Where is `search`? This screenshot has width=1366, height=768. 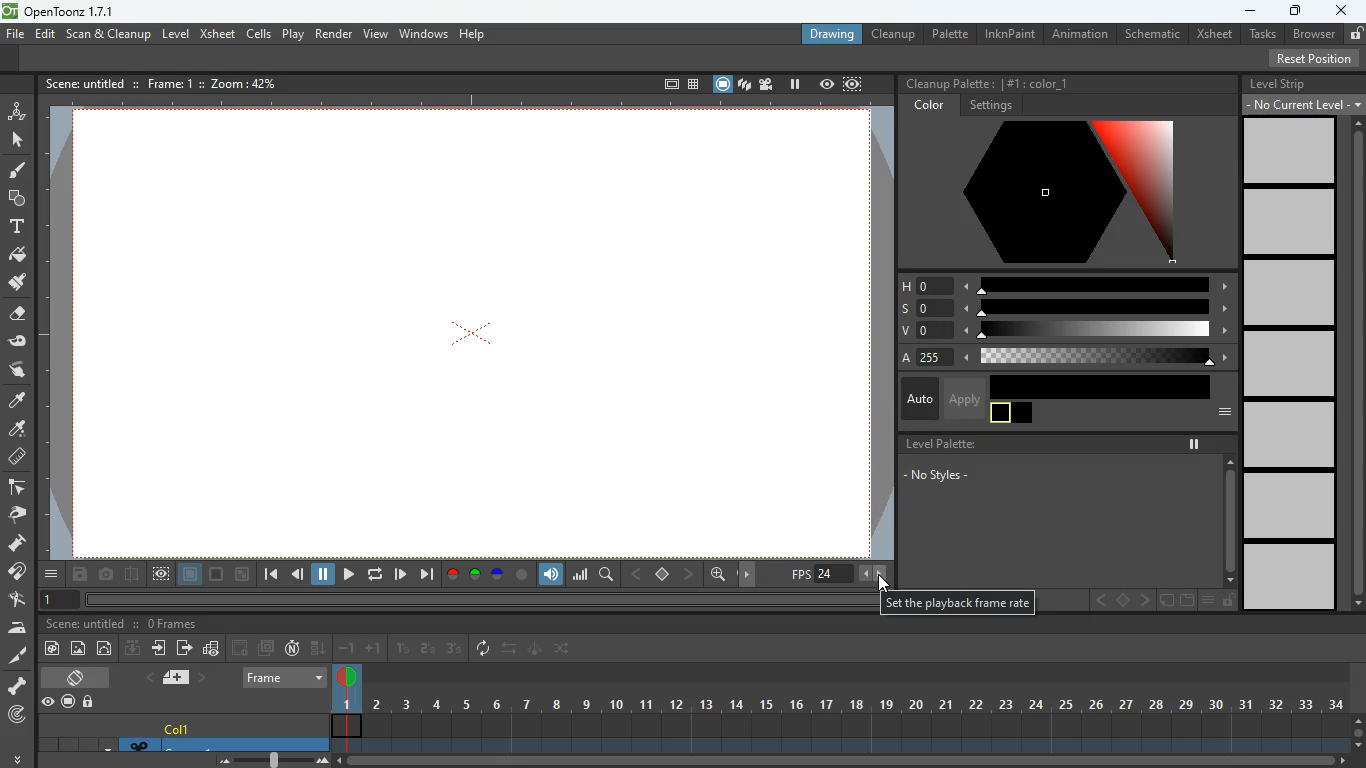
search is located at coordinates (610, 575).